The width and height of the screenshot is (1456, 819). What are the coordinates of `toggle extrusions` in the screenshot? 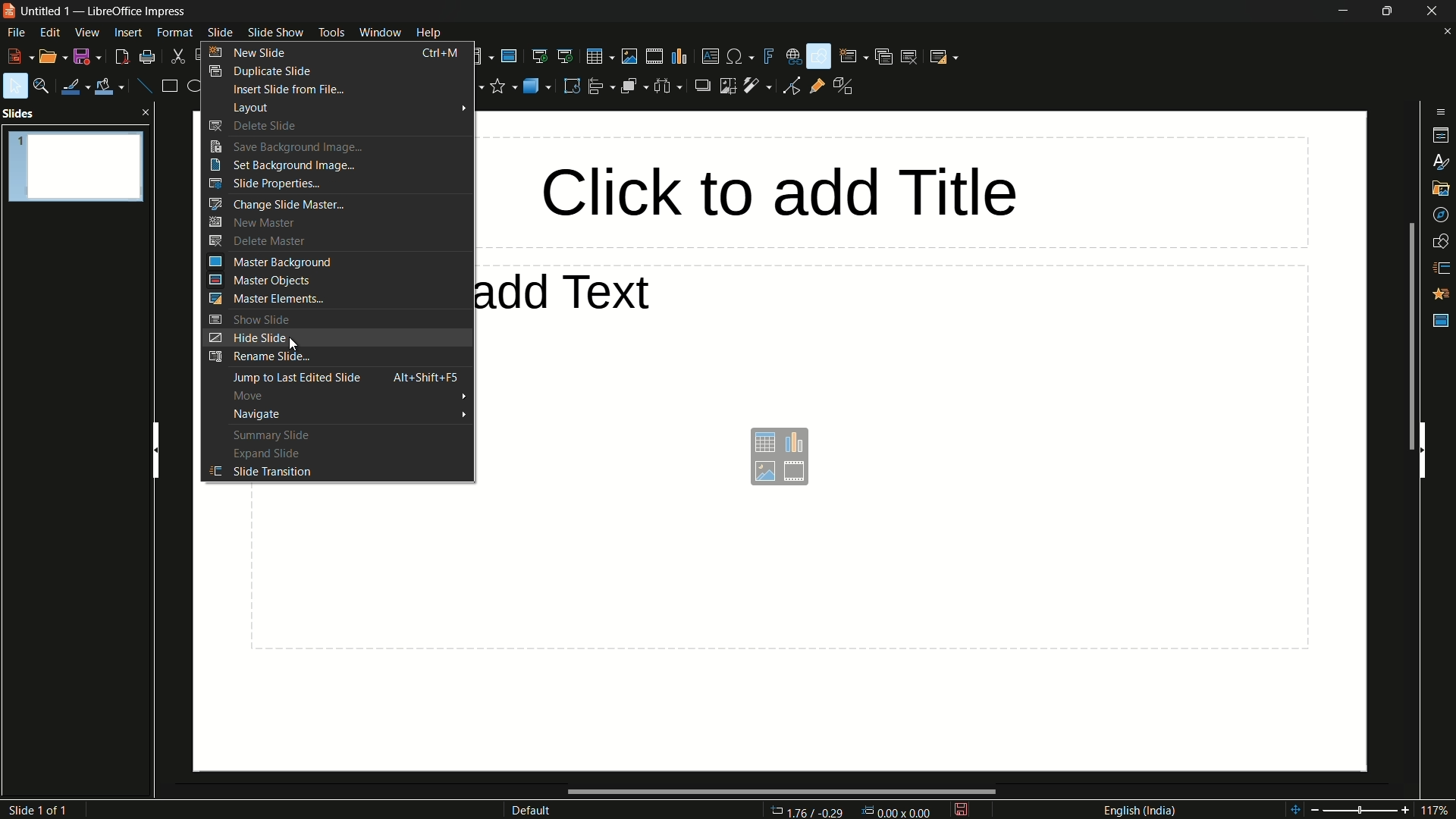 It's located at (847, 87).